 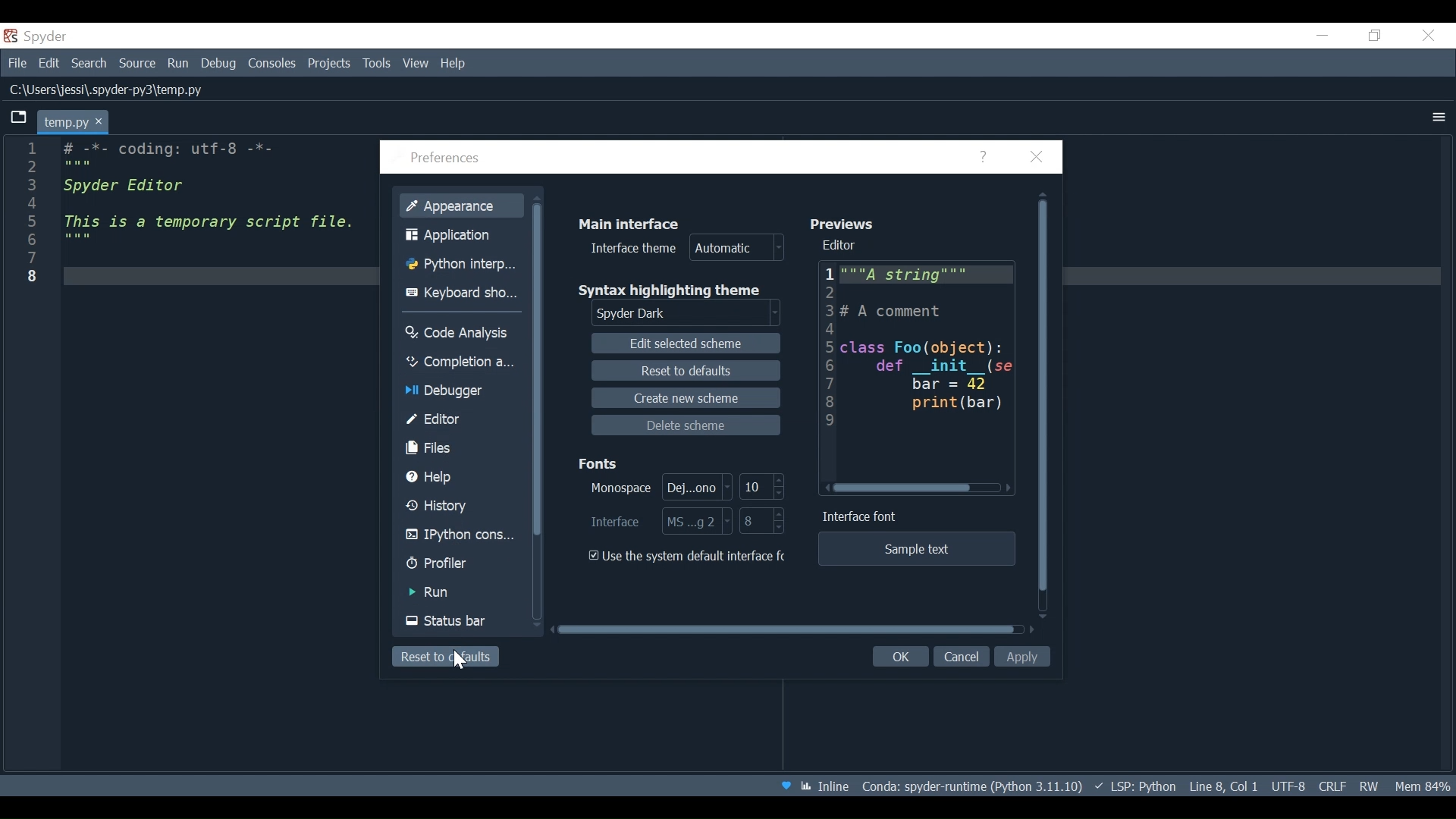 What do you see at coordinates (74, 121) in the screenshot?
I see `Current Tab` at bounding box center [74, 121].